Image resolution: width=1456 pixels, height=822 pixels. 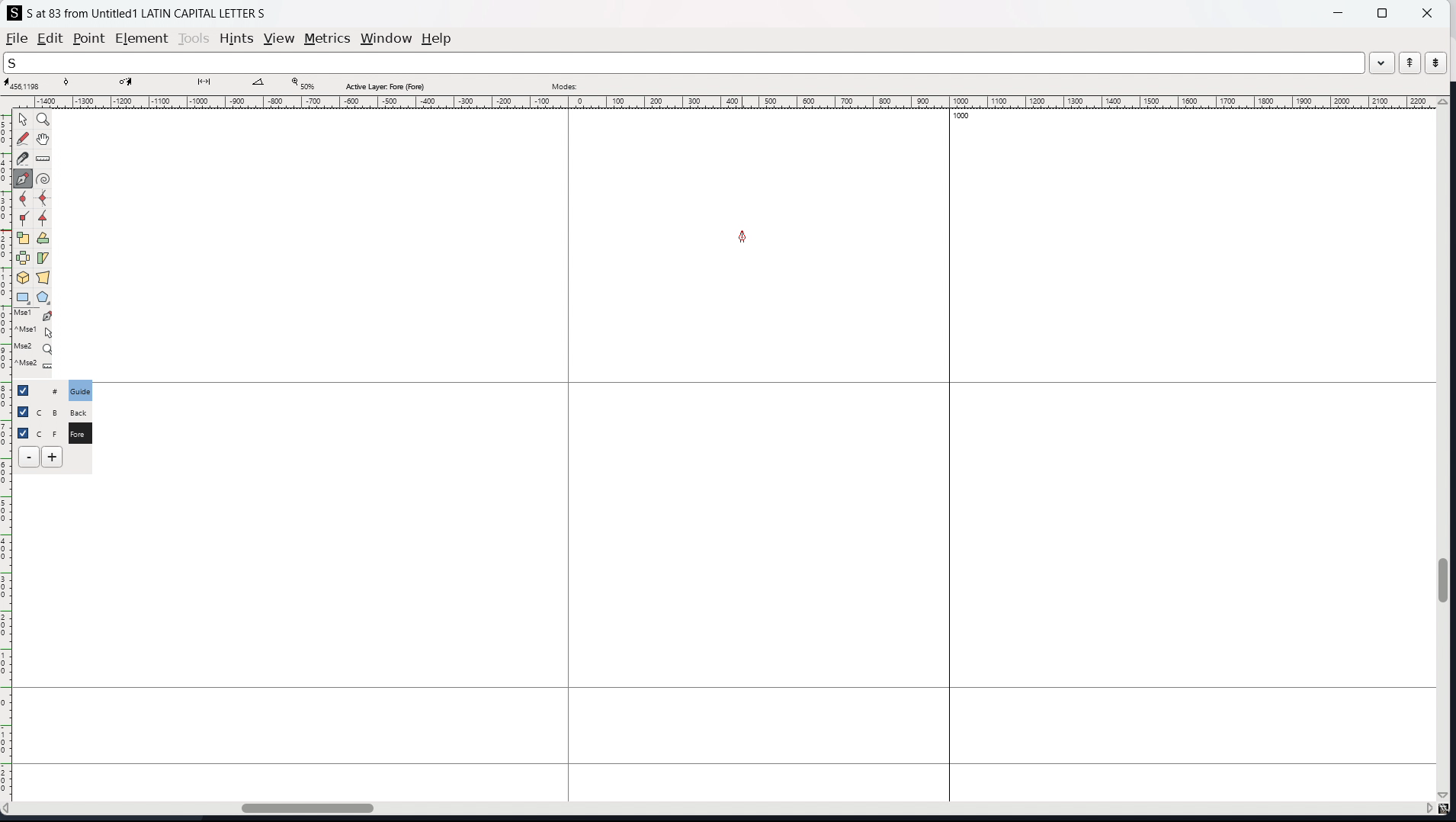 I want to click on cursor coordinate, so click(x=25, y=85).